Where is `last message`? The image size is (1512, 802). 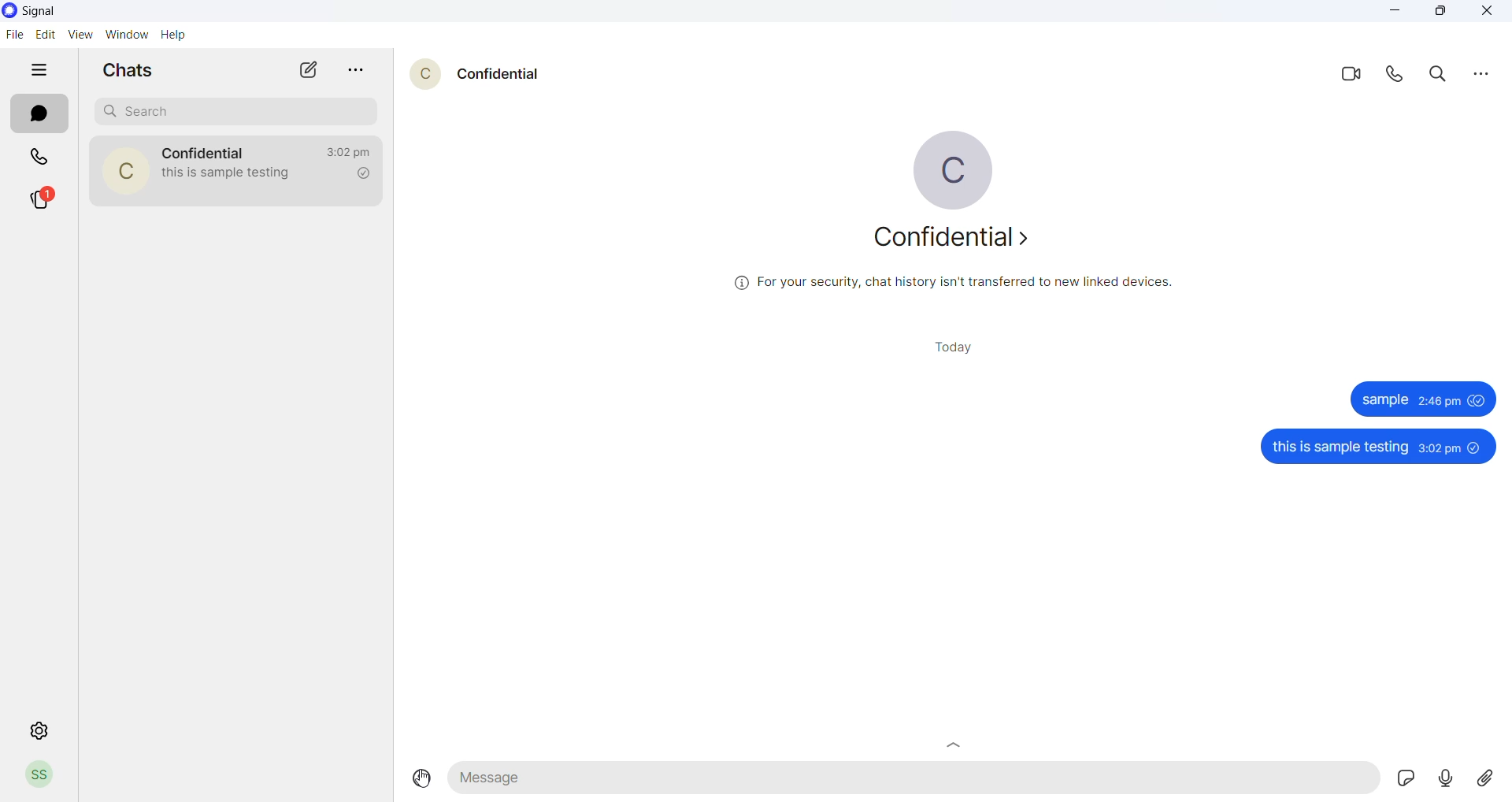 last message is located at coordinates (238, 179).